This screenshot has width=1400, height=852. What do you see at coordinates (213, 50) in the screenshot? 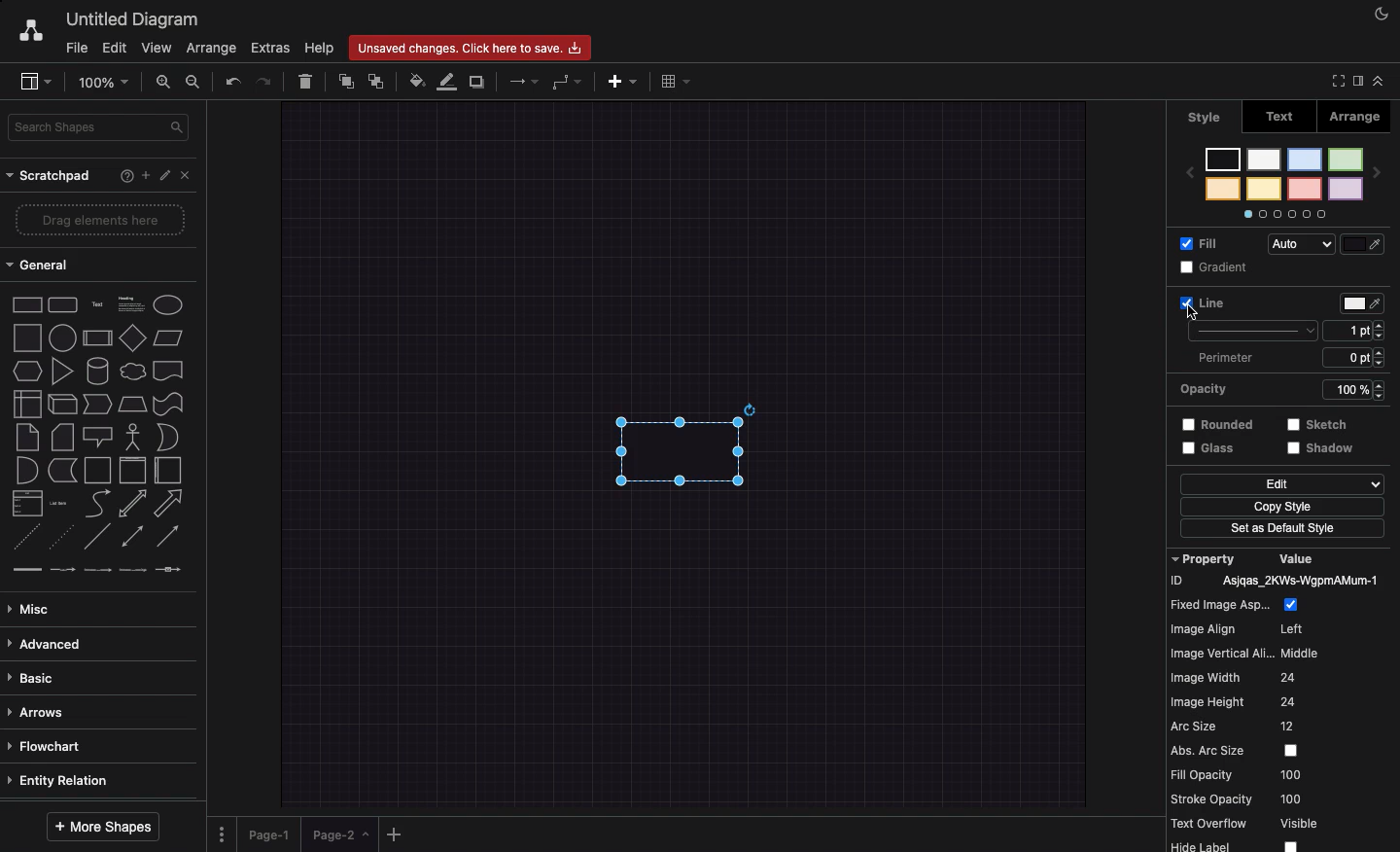
I see `Arrange` at bounding box center [213, 50].